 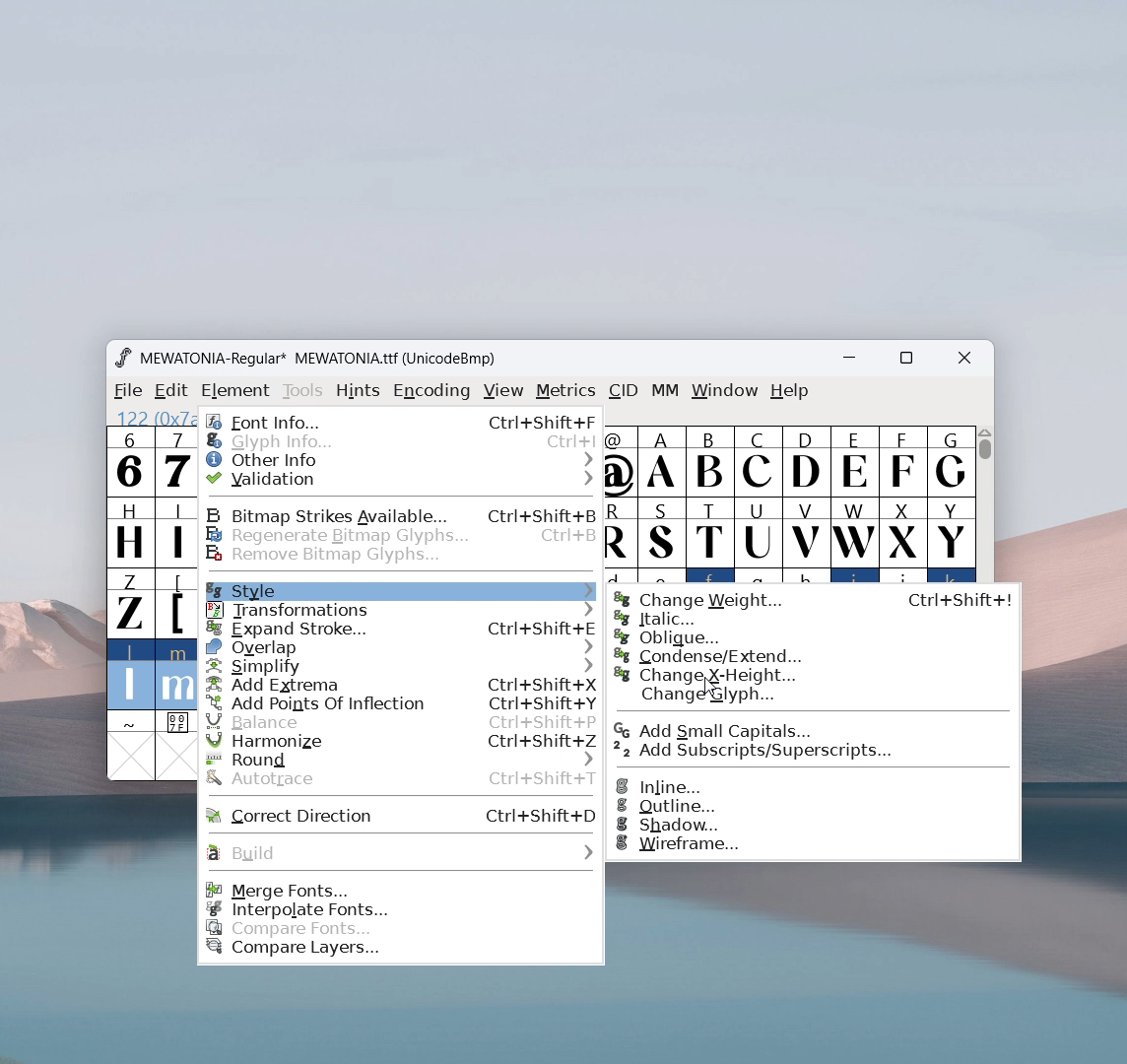 I want to click on harmonize, so click(x=402, y=742).